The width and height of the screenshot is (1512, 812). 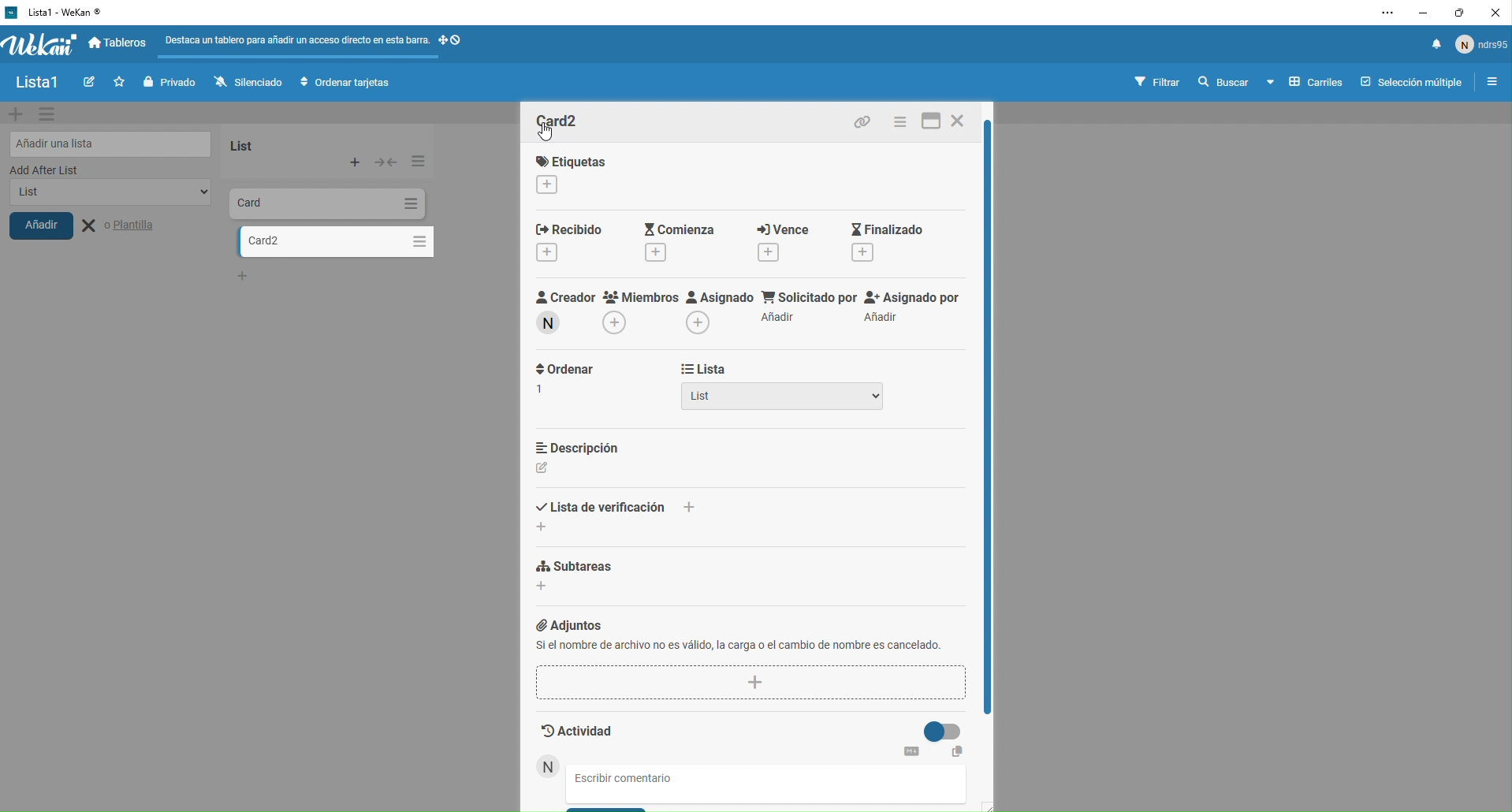 What do you see at coordinates (314, 241) in the screenshot?
I see `card 2` at bounding box center [314, 241].